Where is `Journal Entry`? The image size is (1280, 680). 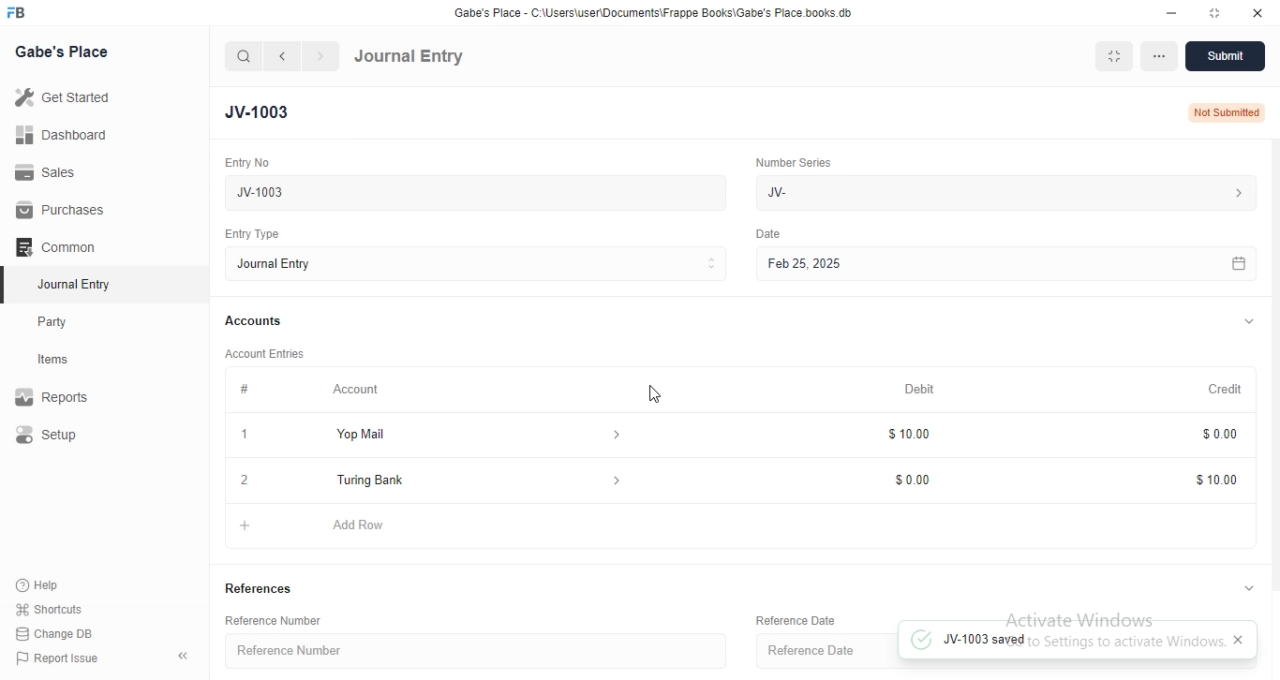
Journal Entry is located at coordinates (71, 284).